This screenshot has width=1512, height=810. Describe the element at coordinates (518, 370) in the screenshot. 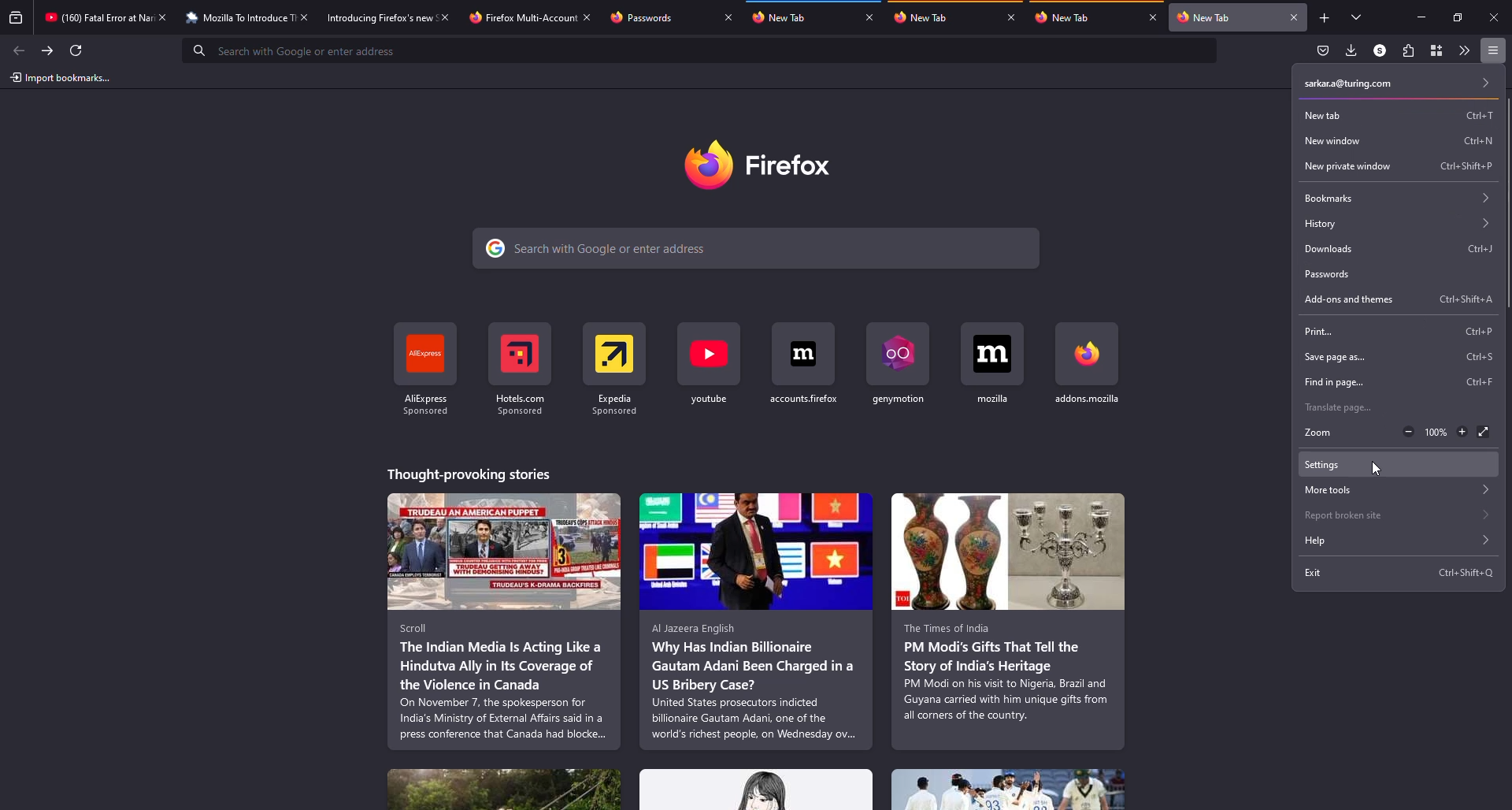

I see `shortcut` at that location.